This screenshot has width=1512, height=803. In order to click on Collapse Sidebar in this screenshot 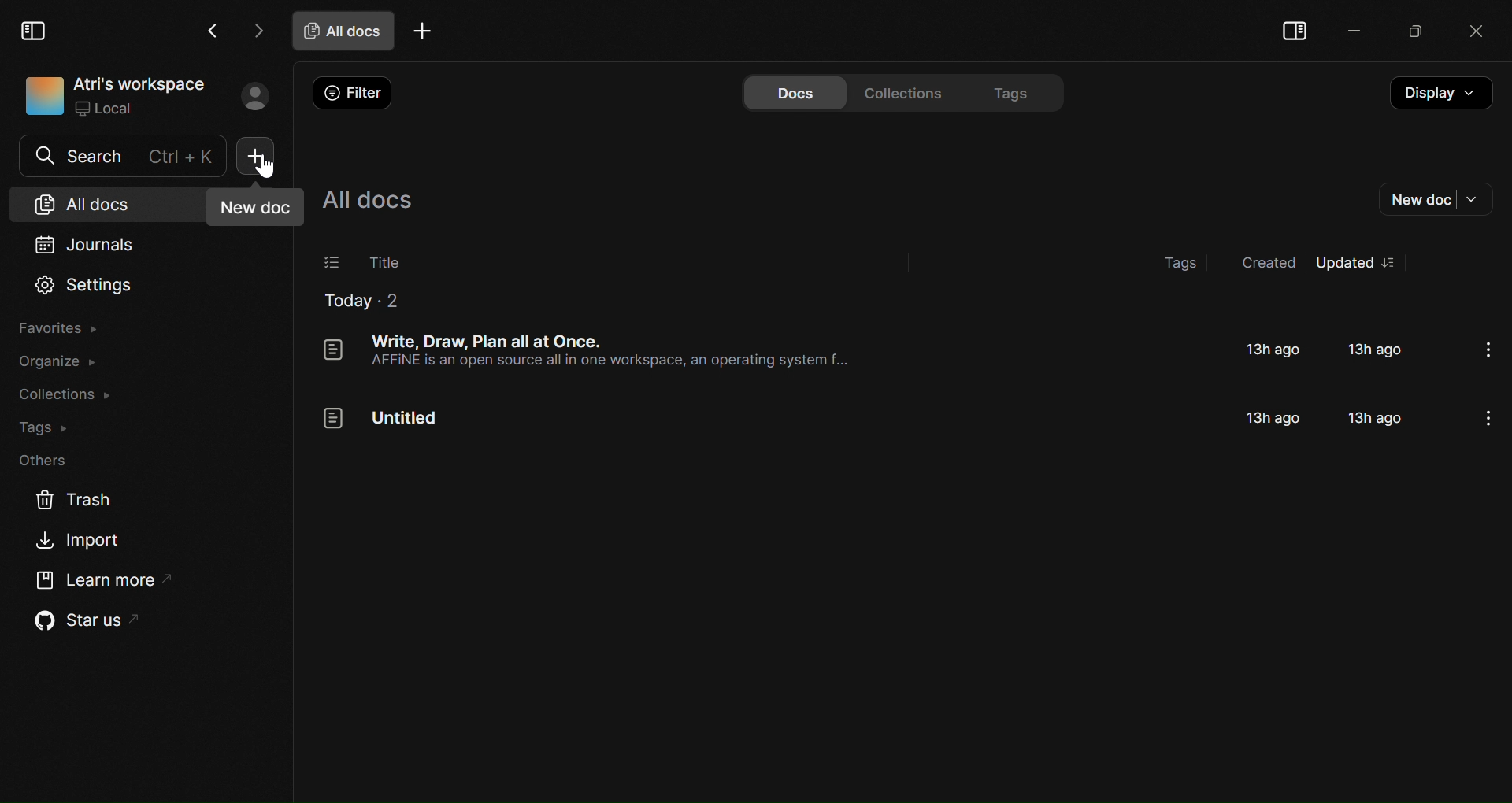, I will do `click(35, 28)`.